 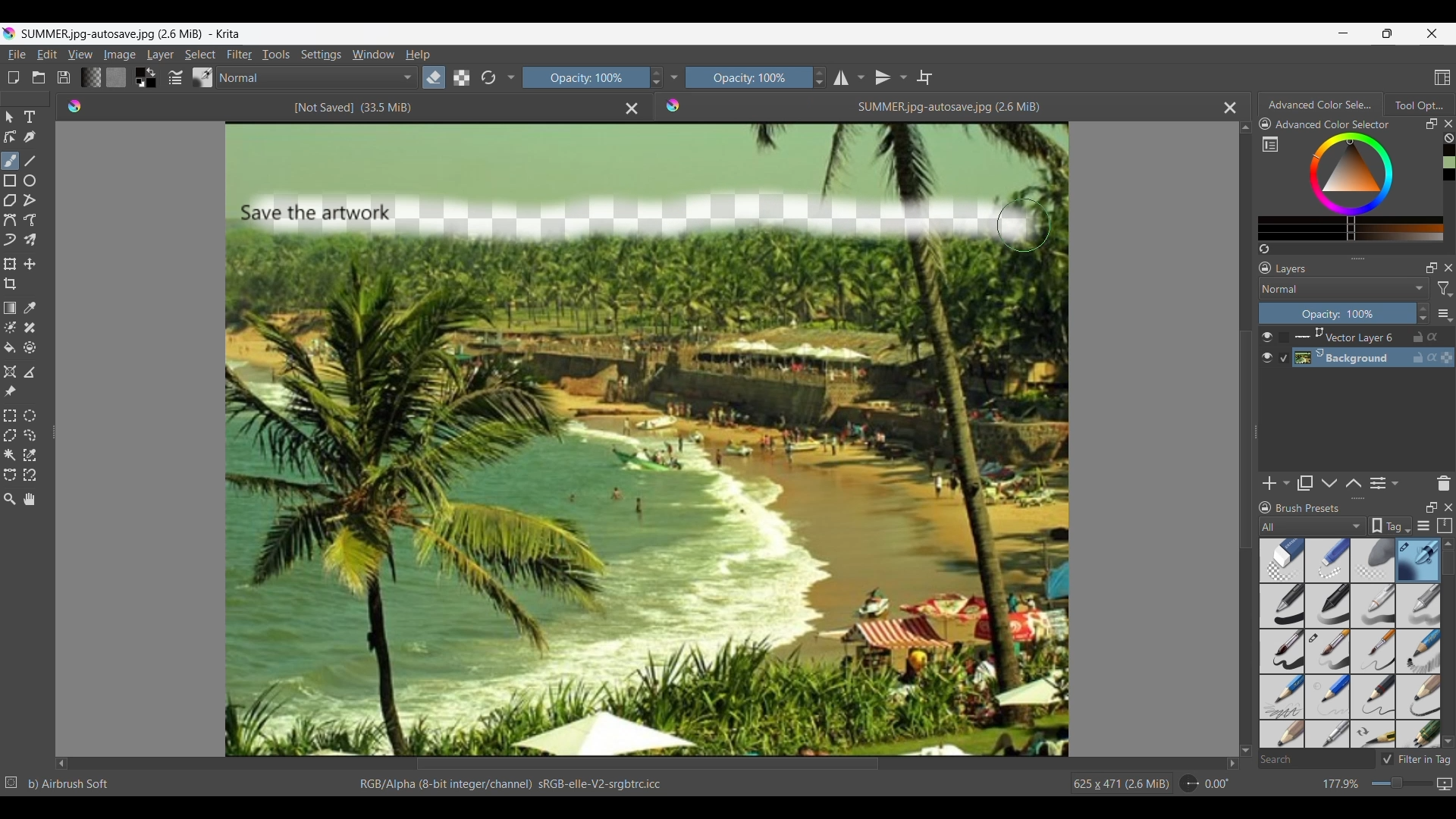 What do you see at coordinates (29, 499) in the screenshot?
I see `Pan tool` at bounding box center [29, 499].